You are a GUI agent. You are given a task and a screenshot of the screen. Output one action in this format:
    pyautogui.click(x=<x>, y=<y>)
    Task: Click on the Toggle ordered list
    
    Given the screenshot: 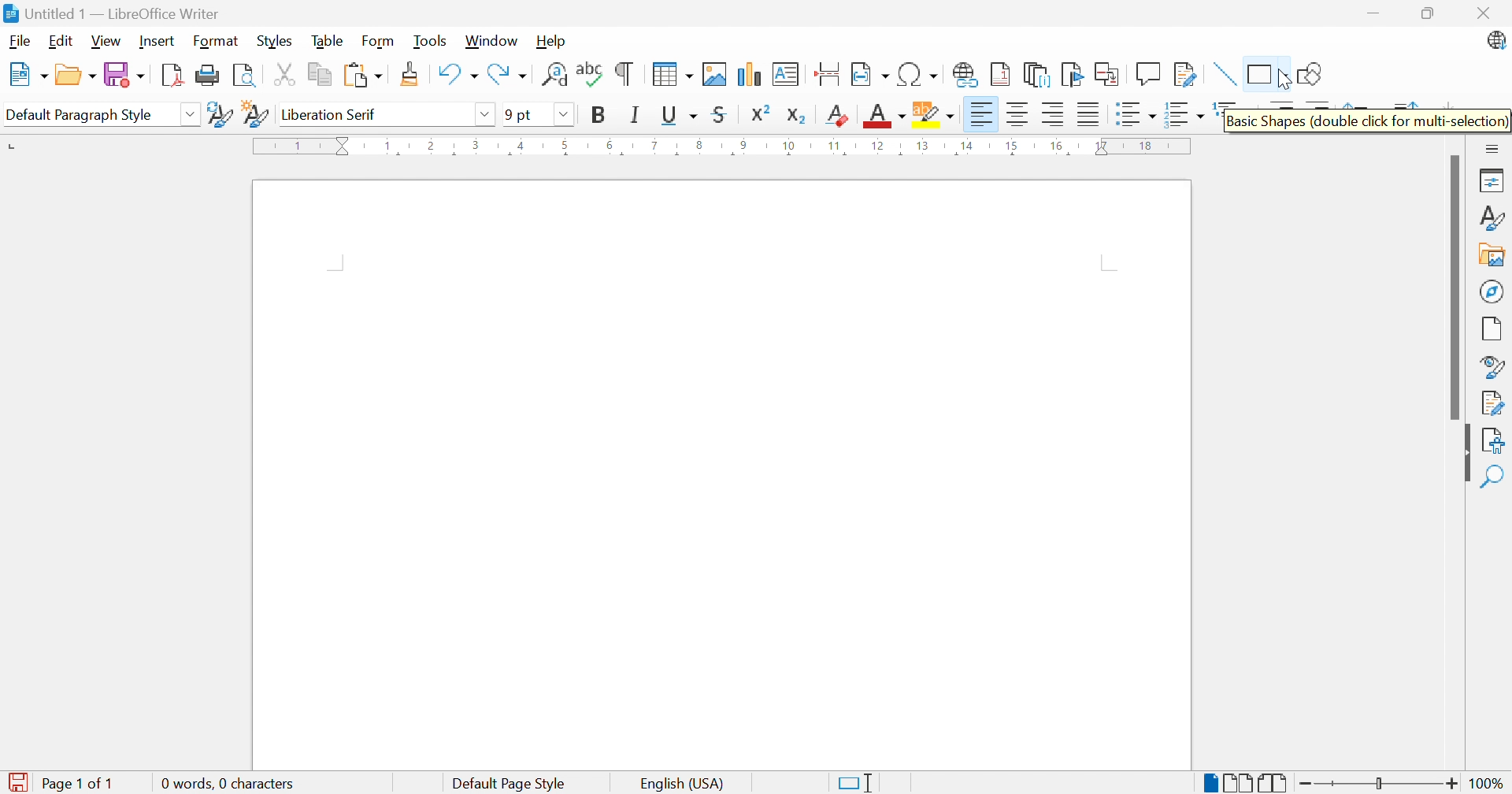 What is the action you would take?
    pyautogui.click(x=1185, y=117)
    